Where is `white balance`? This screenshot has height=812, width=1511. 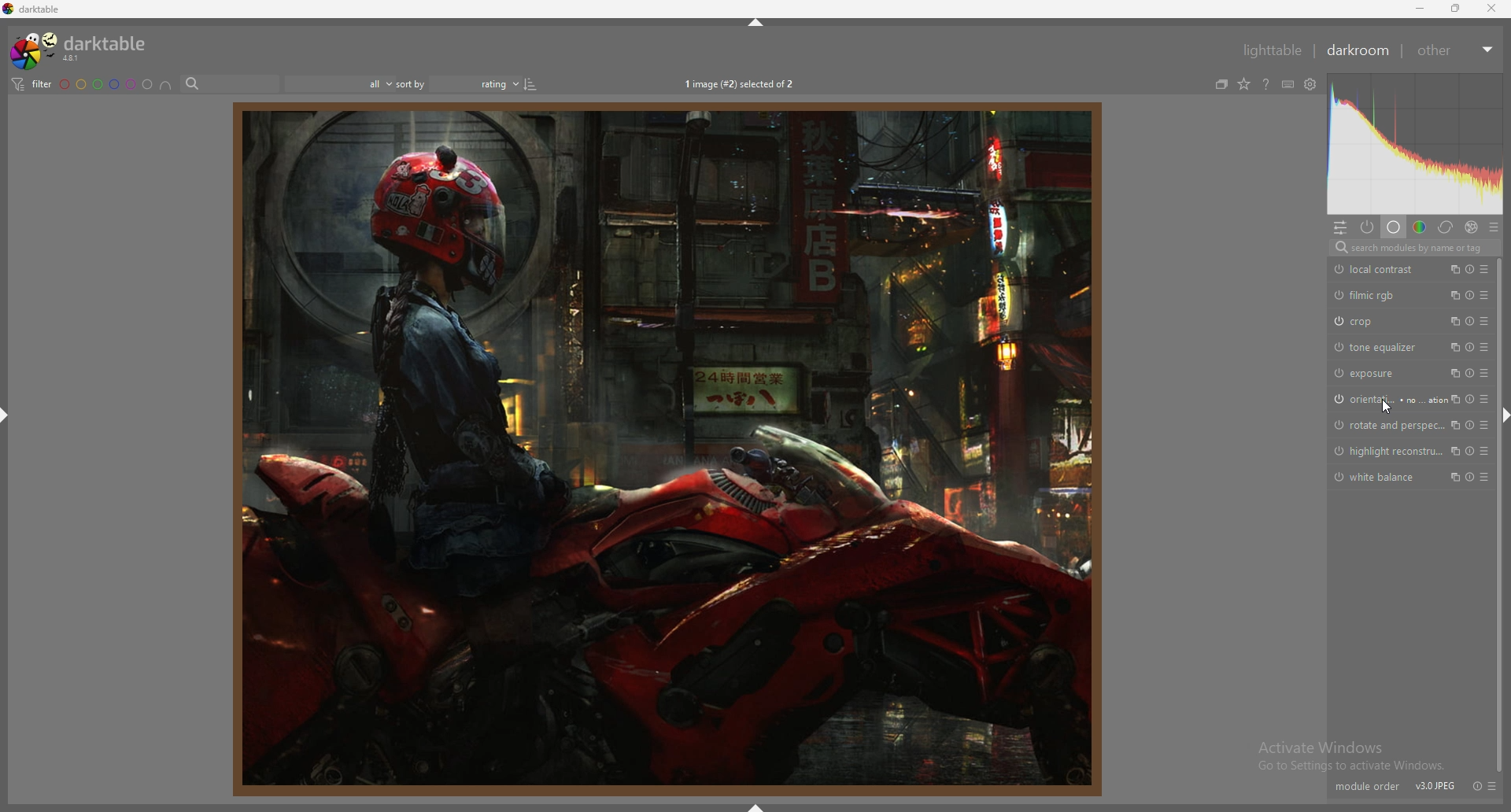 white balance is located at coordinates (1381, 478).